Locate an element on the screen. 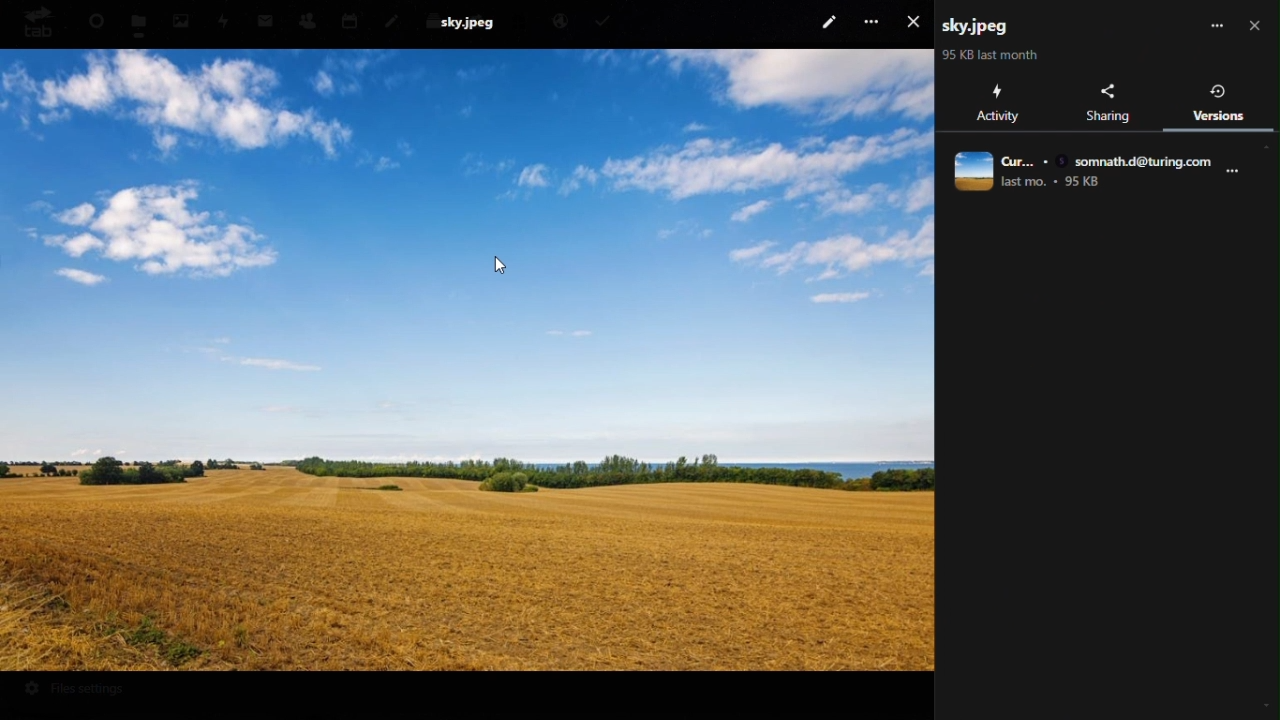 This screenshot has width=1280, height=720. mail is located at coordinates (266, 20).